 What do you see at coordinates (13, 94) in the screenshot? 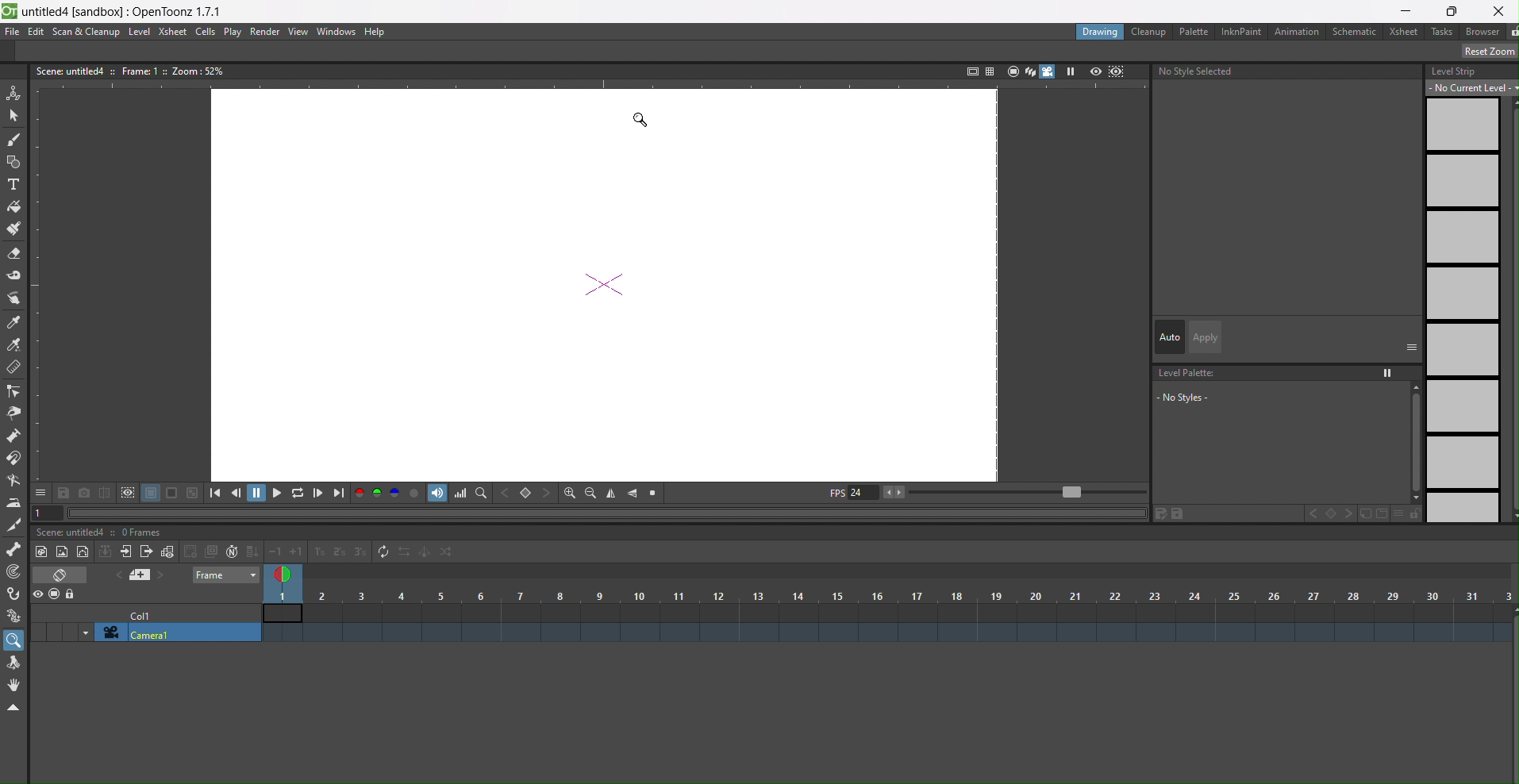
I see `` at bounding box center [13, 94].